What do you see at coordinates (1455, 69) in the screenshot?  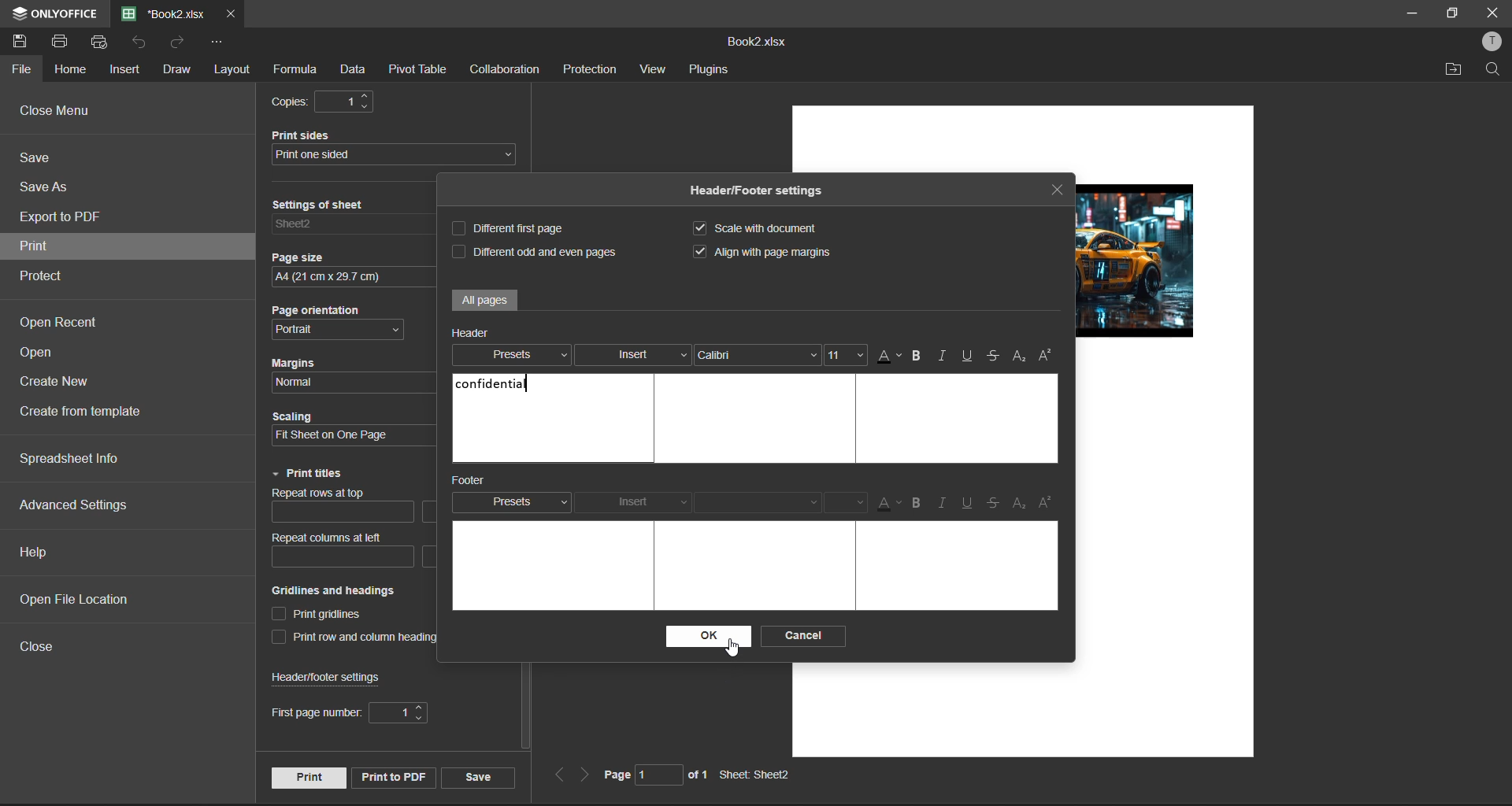 I see `open location` at bounding box center [1455, 69].